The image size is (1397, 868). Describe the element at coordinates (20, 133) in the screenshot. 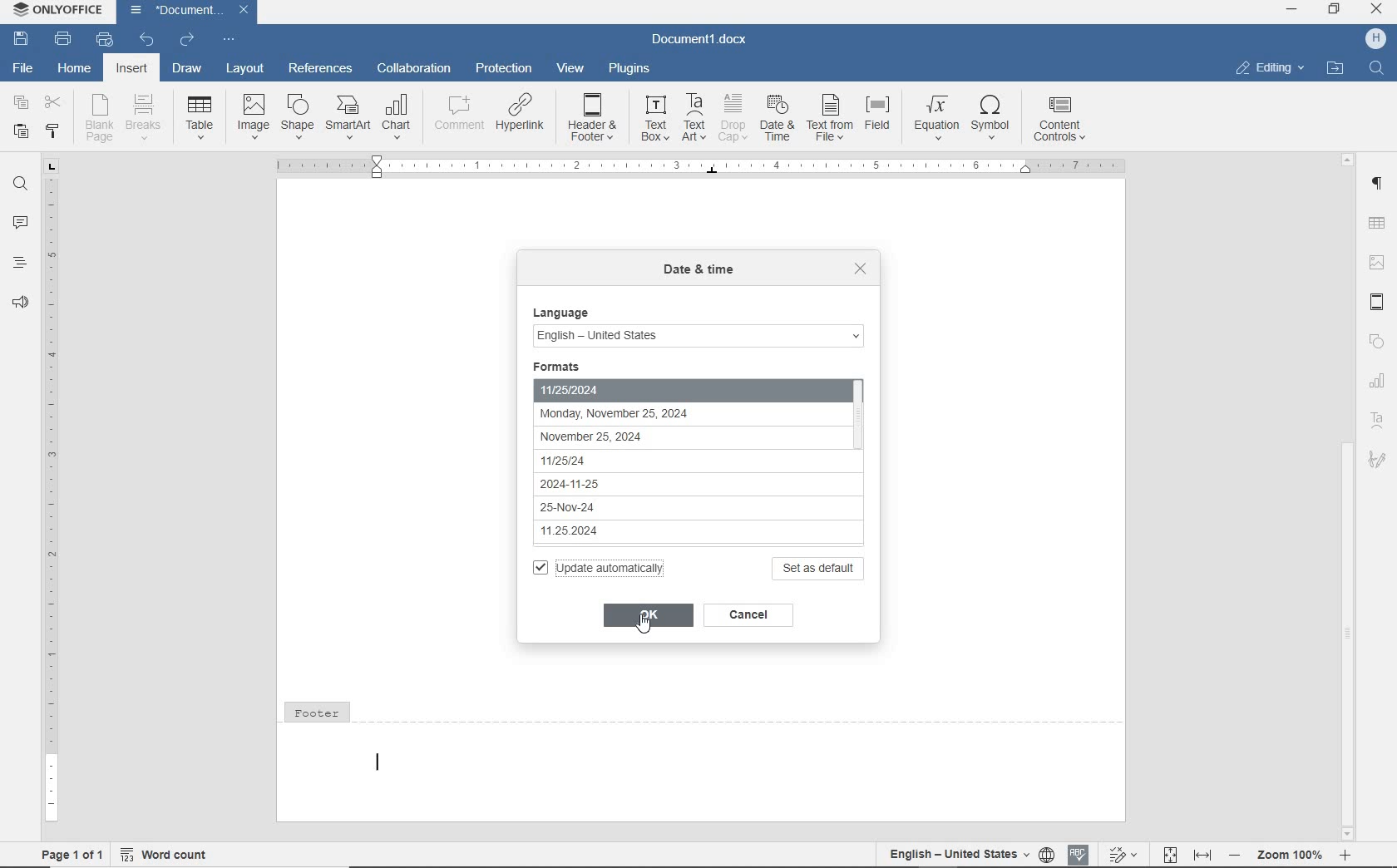

I see `PASTE` at that location.